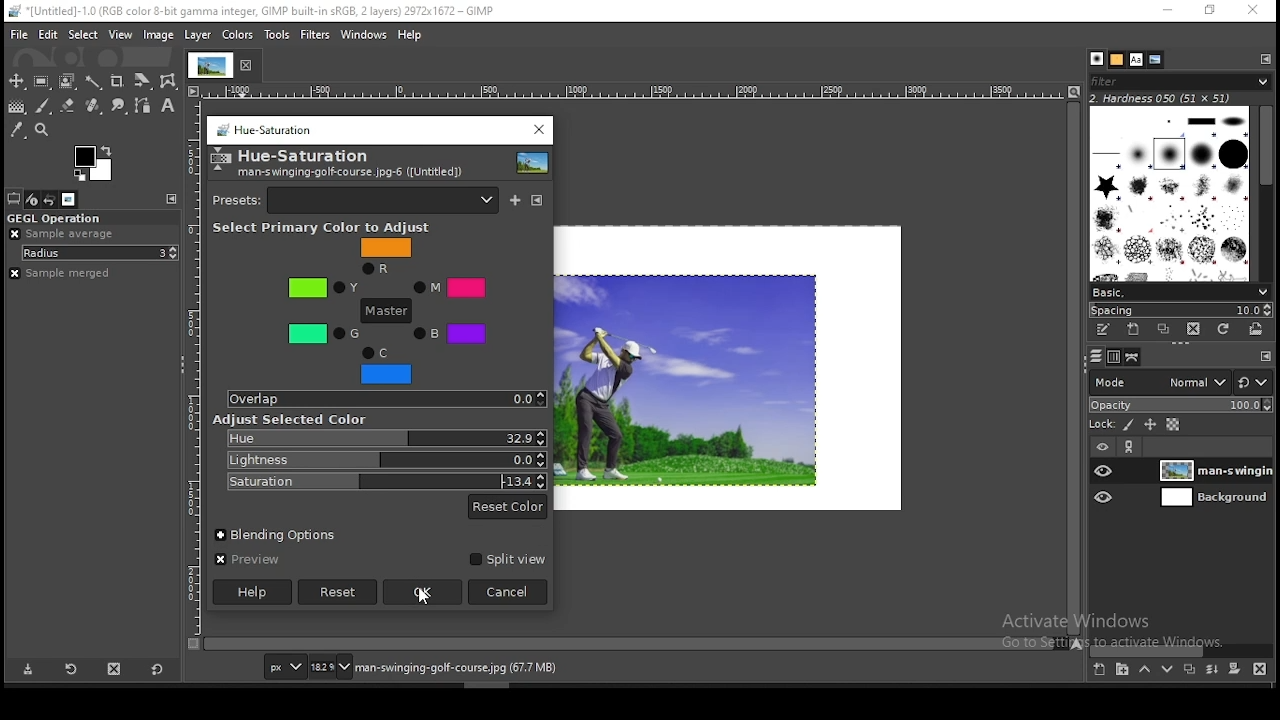 This screenshot has width=1280, height=720. I want to click on Y, so click(324, 288).